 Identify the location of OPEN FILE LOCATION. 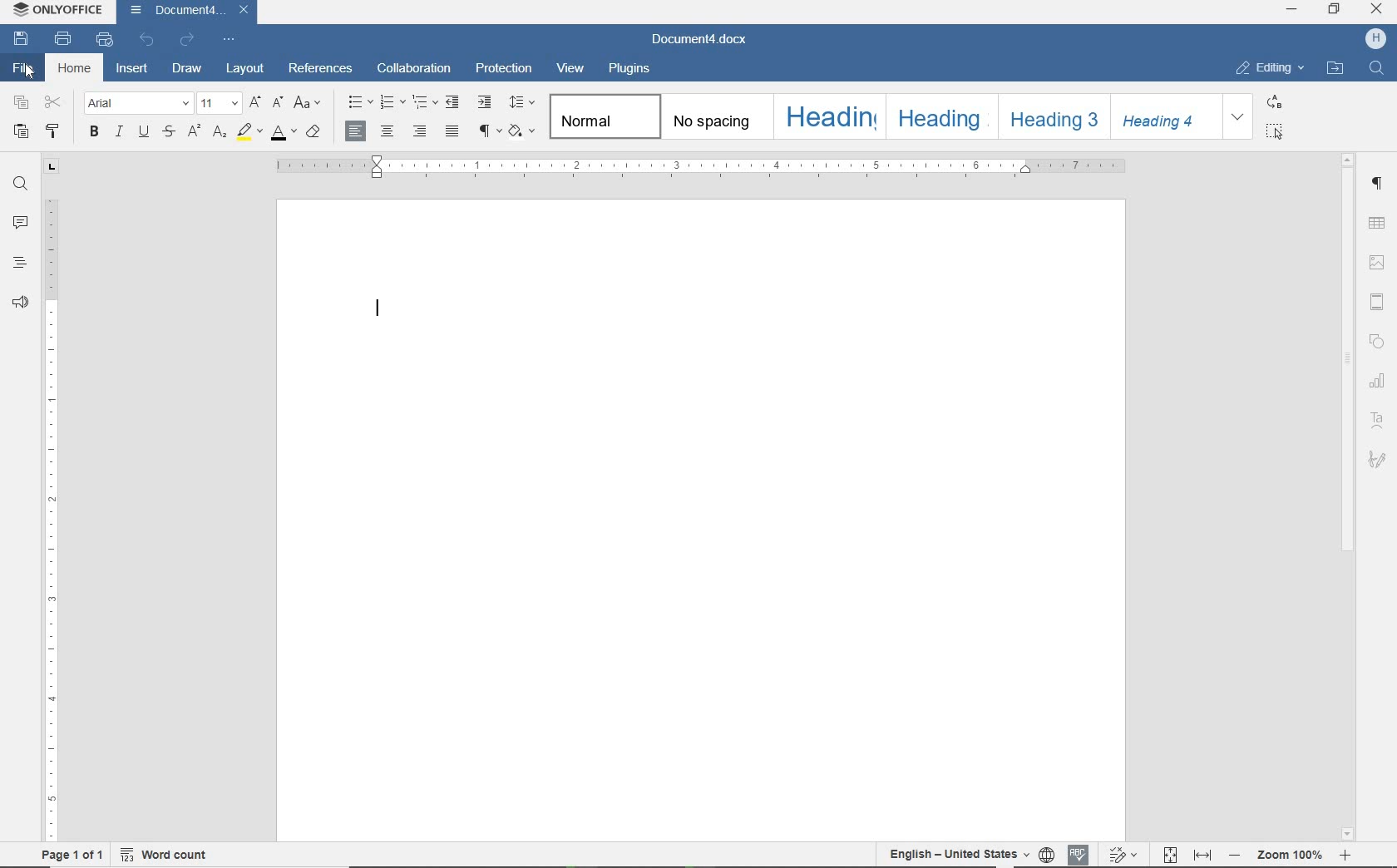
(1336, 67).